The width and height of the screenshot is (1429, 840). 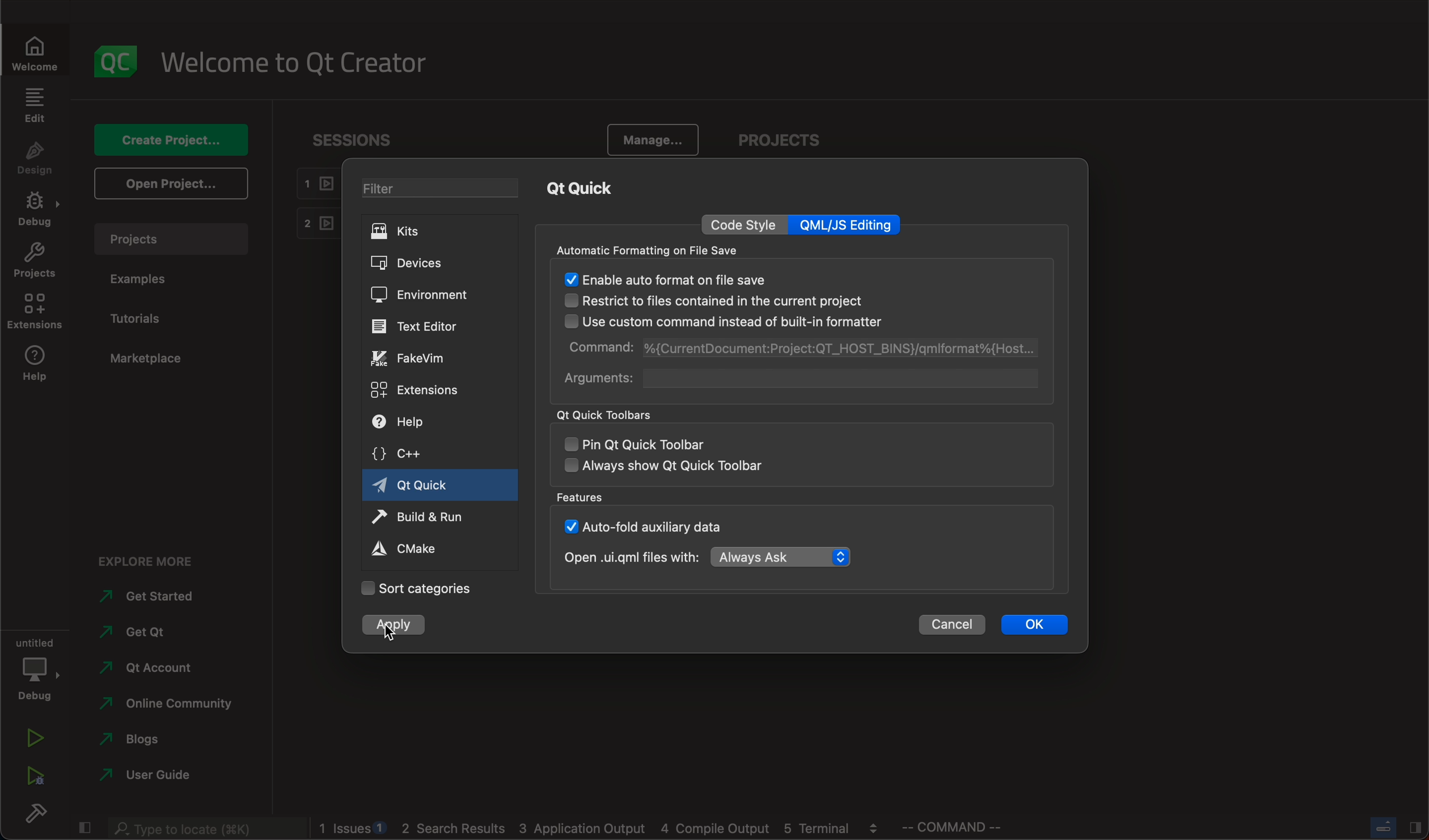 I want to click on tutorials, so click(x=141, y=316).